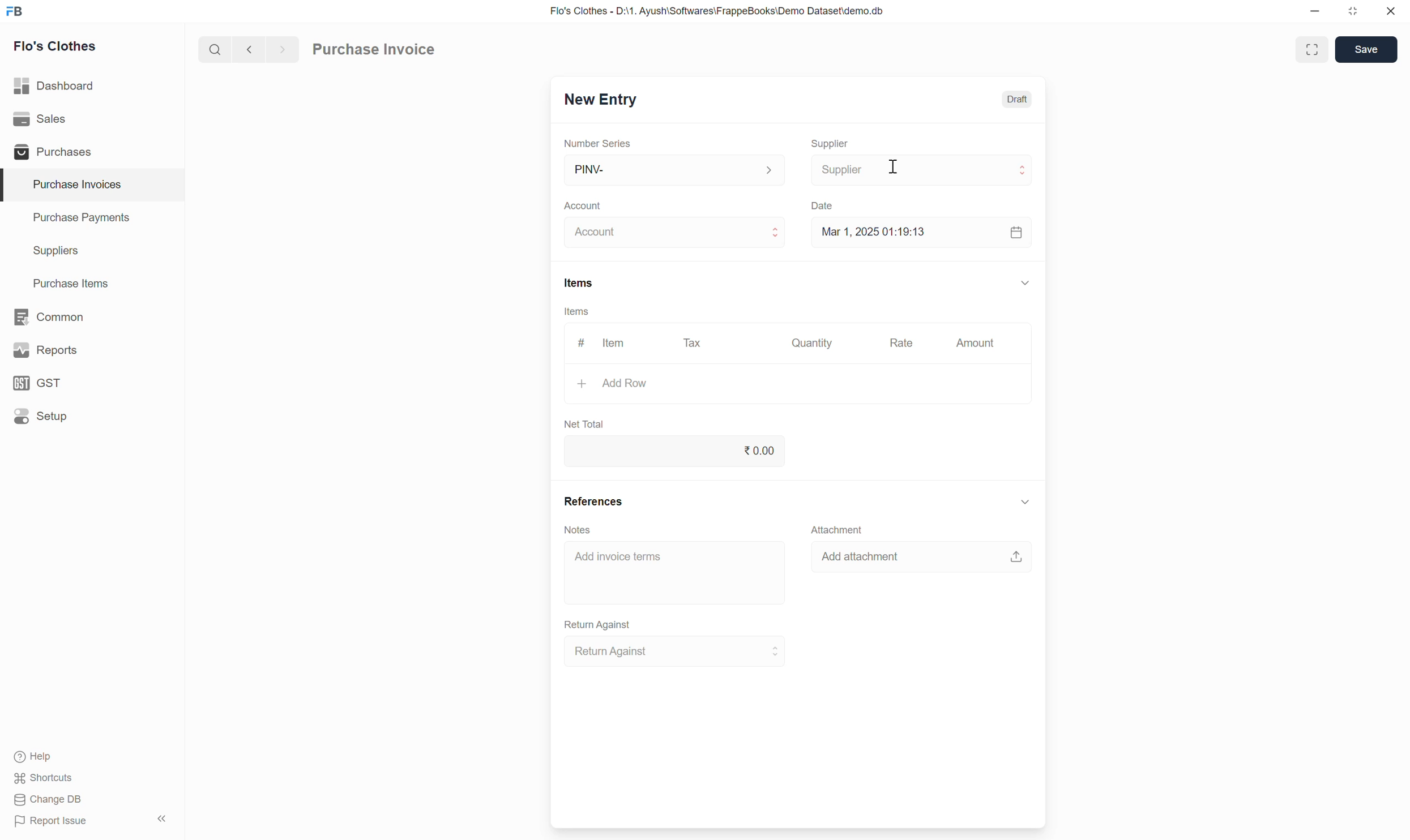  I want to click on Supplier, so click(923, 169).